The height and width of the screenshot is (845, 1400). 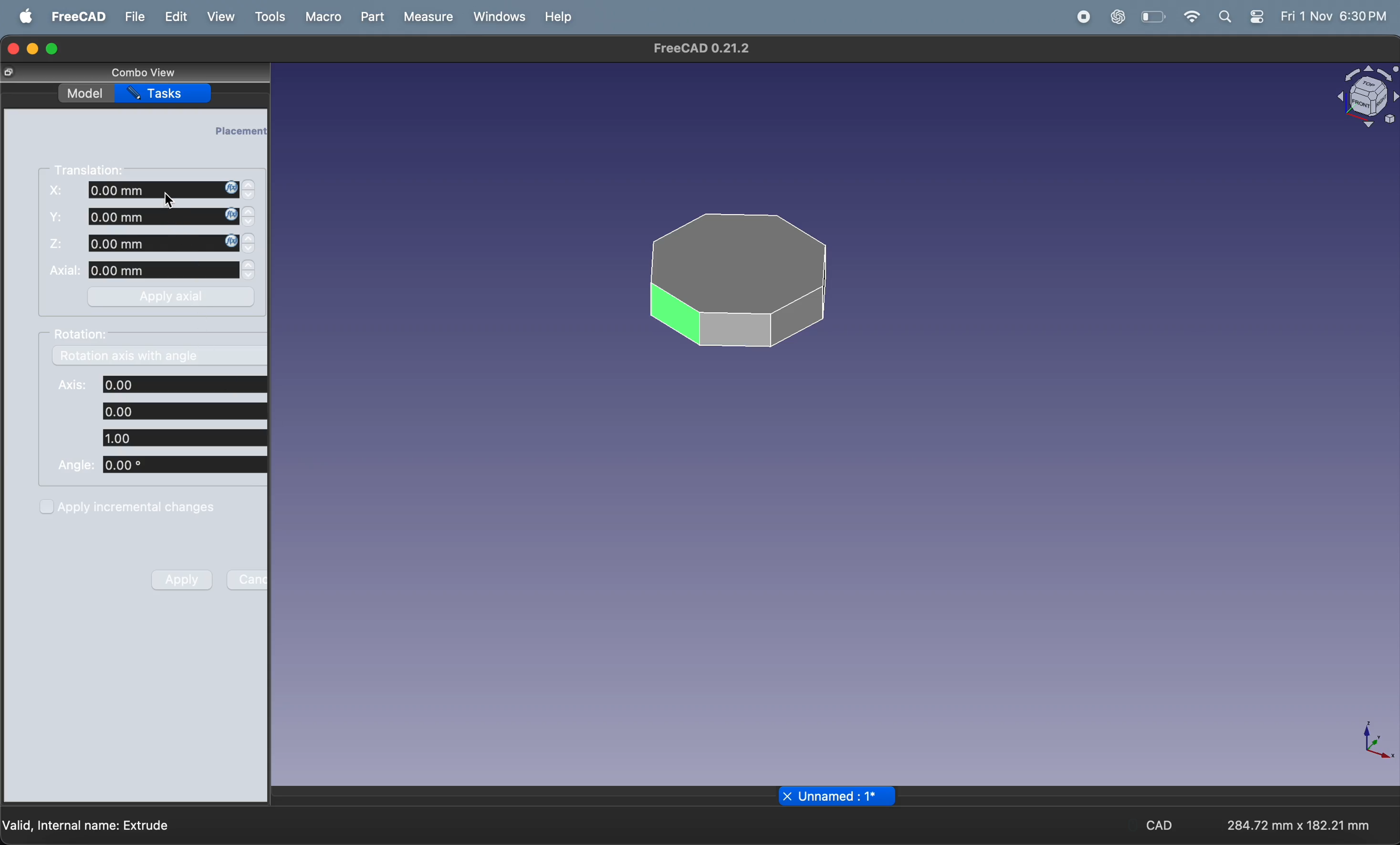 I want to click on down, so click(x=249, y=197).